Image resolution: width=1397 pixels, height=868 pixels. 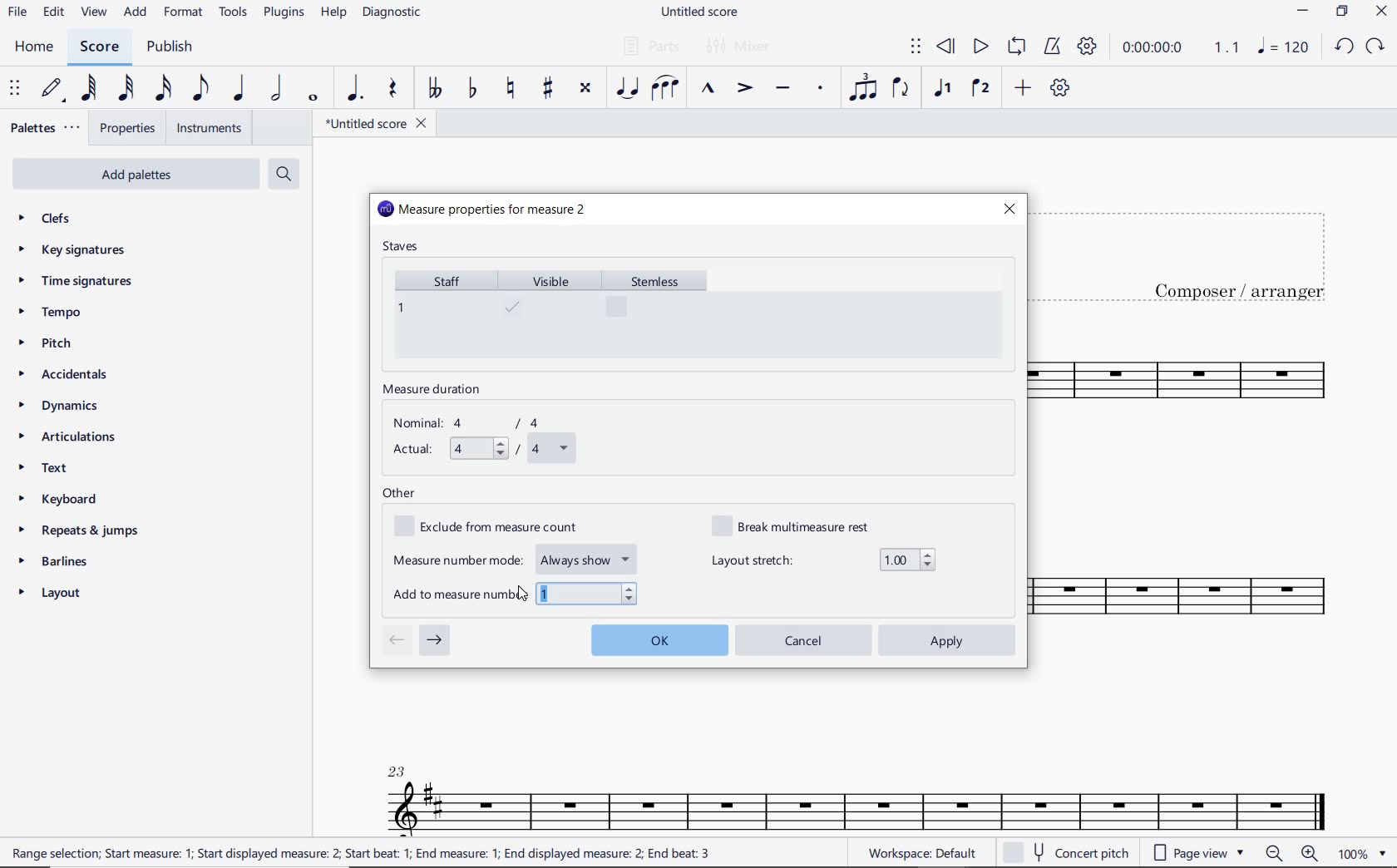 What do you see at coordinates (278, 89) in the screenshot?
I see `HALF NOTE` at bounding box center [278, 89].